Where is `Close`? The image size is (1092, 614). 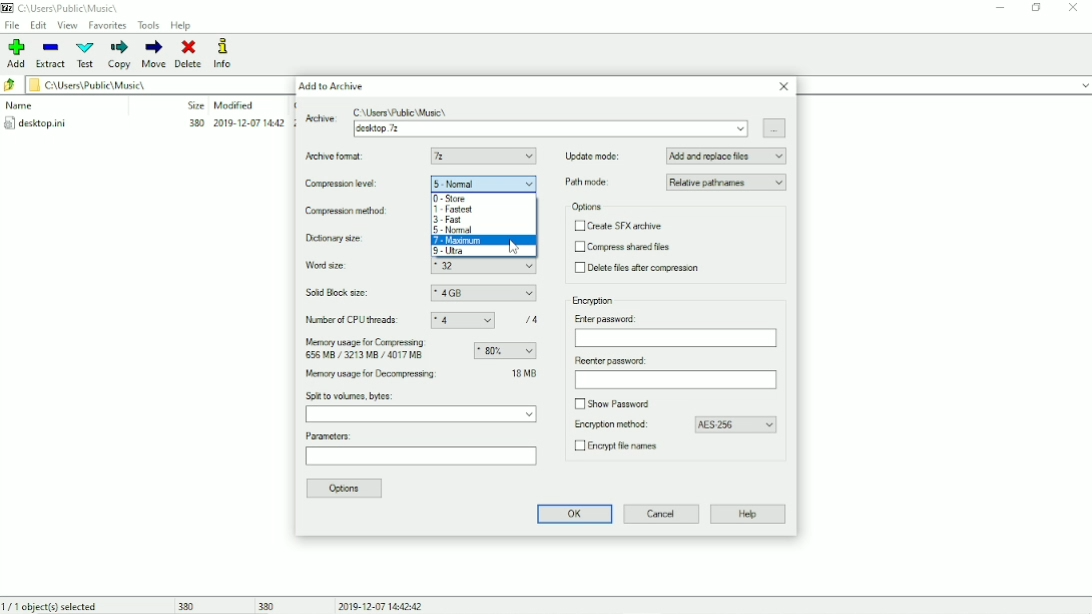 Close is located at coordinates (1075, 9).